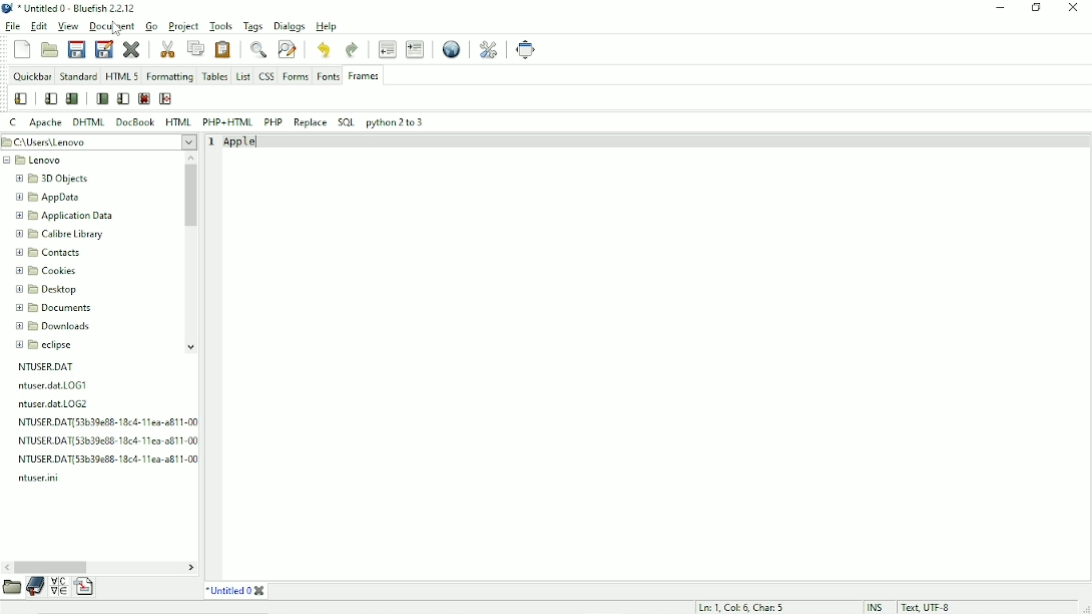 This screenshot has width=1092, height=614. Describe the element at coordinates (47, 198) in the screenshot. I see `AppData` at that location.